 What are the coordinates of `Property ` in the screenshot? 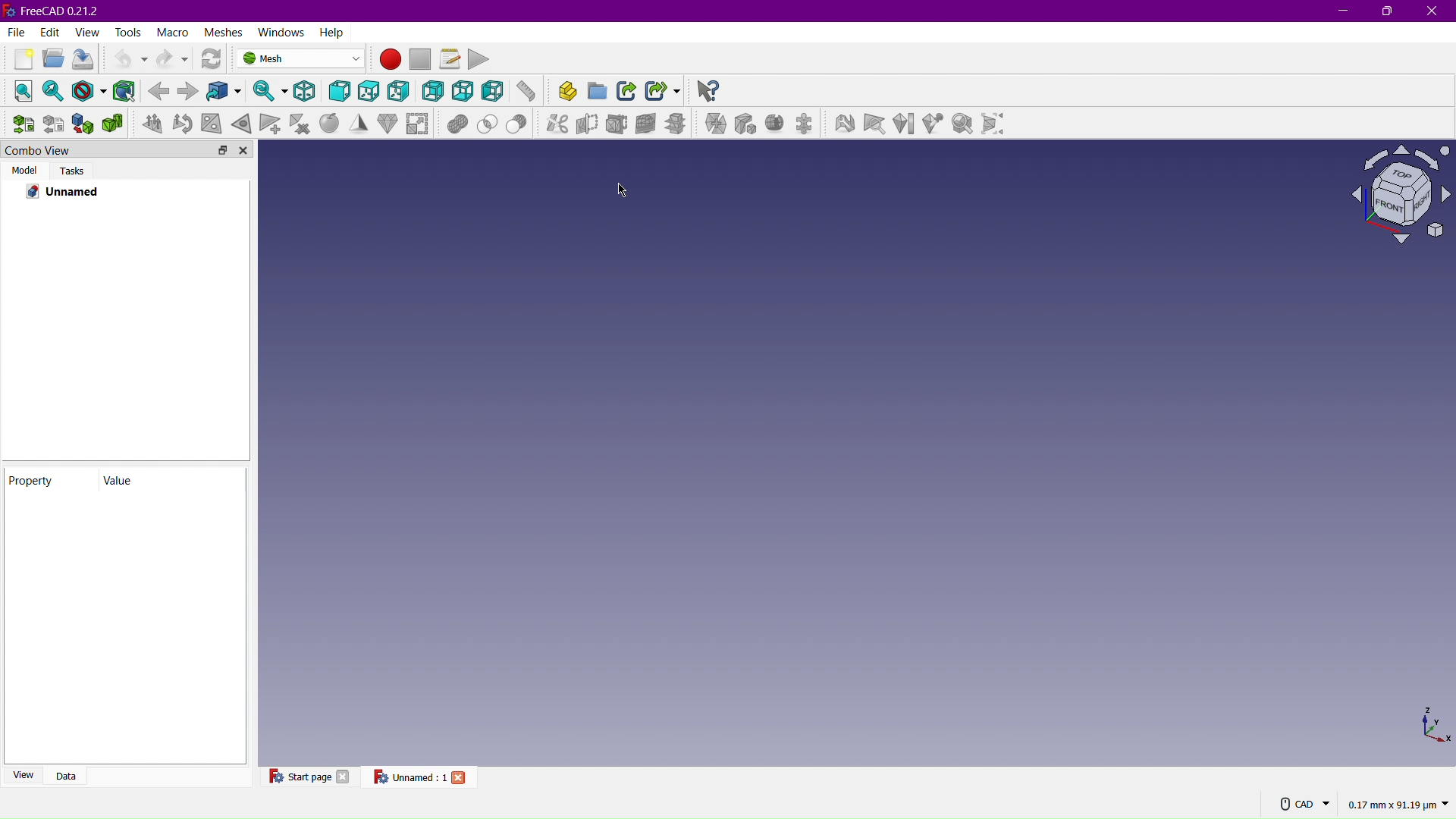 It's located at (50, 481).